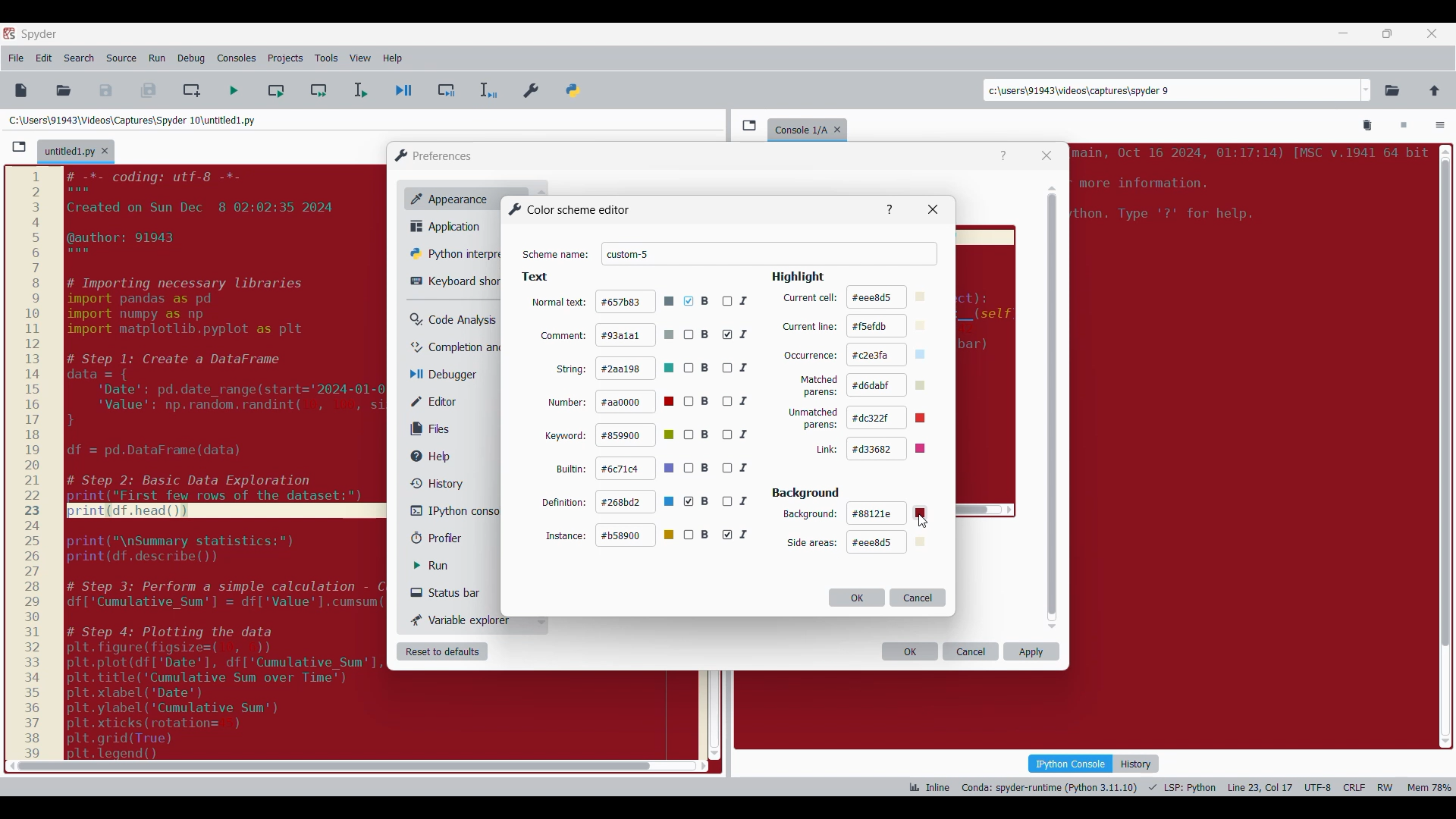  What do you see at coordinates (39, 34) in the screenshot?
I see `Software name` at bounding box center [39, 34].